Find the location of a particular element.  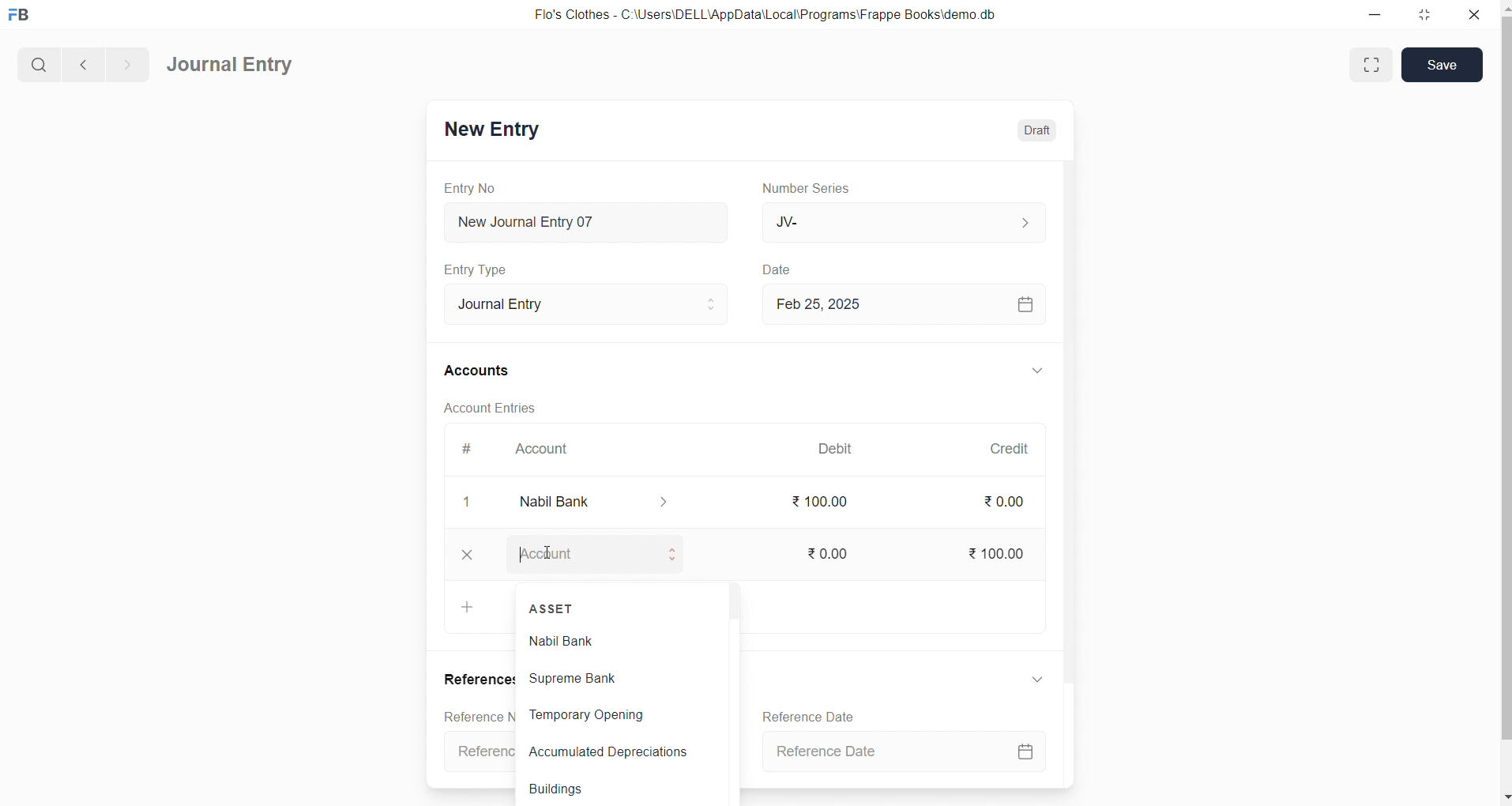

Save is located at coordinates (1442, 65).